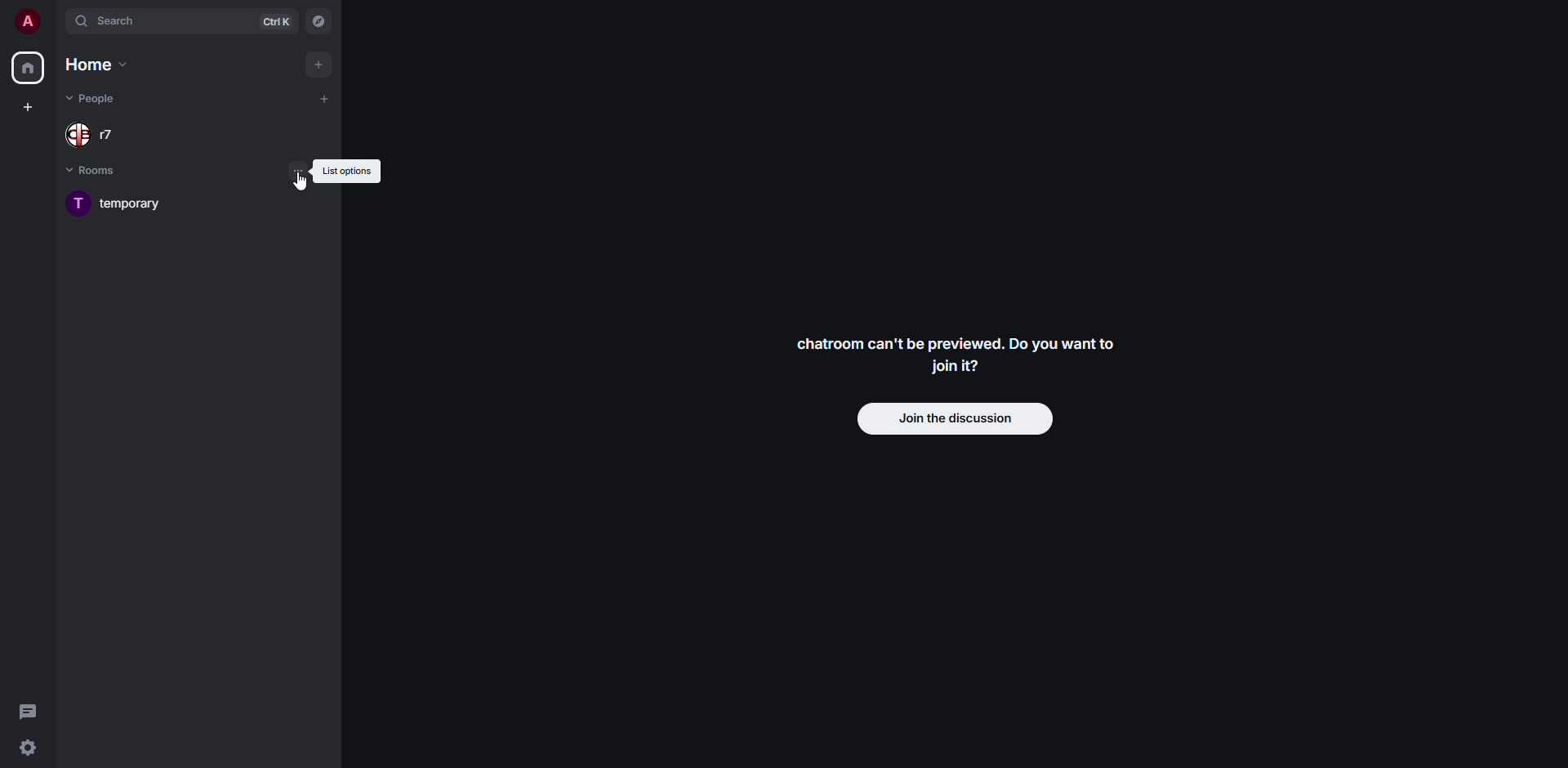 The image size is (1568, 768). Describe the element at coordinates (100, 64) in the screenshot. I see `home` at that location.